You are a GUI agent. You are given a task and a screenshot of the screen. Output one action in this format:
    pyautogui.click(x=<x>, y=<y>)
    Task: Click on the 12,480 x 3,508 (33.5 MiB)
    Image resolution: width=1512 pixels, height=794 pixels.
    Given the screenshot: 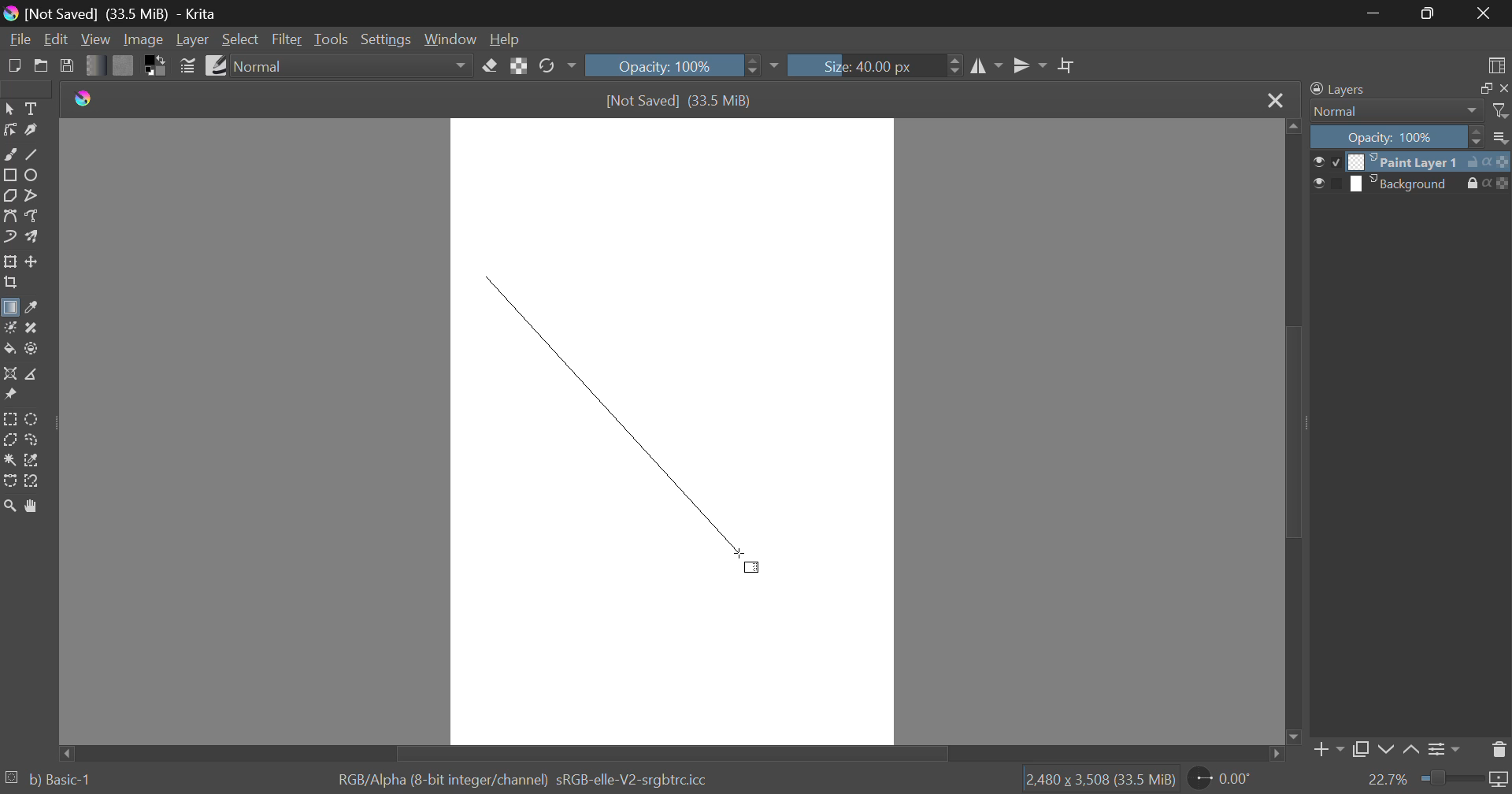 What is the action you would take?
    pyautogui.click(x=1099, y=779)
    